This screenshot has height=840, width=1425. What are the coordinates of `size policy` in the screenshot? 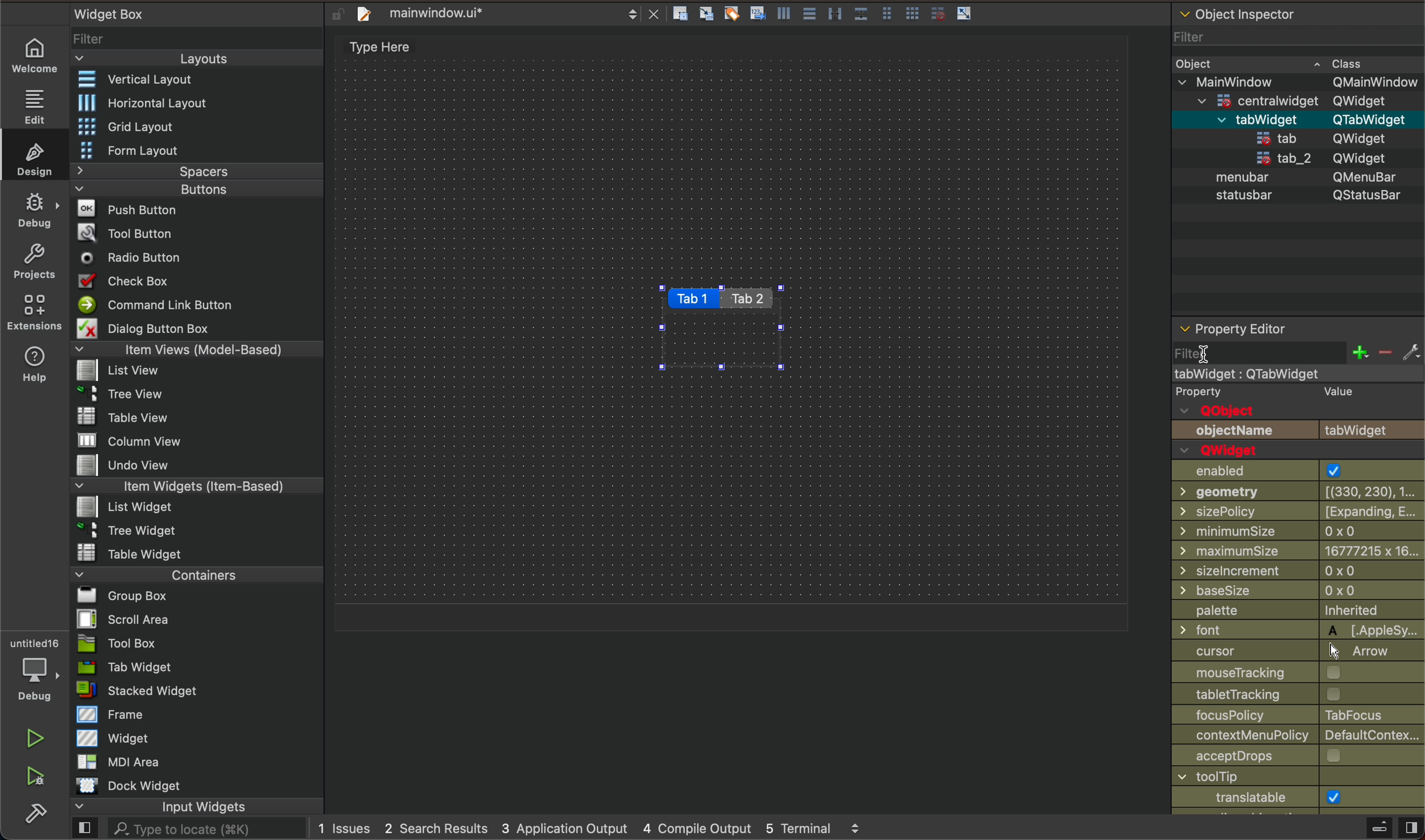 It's located at (1299, 511).